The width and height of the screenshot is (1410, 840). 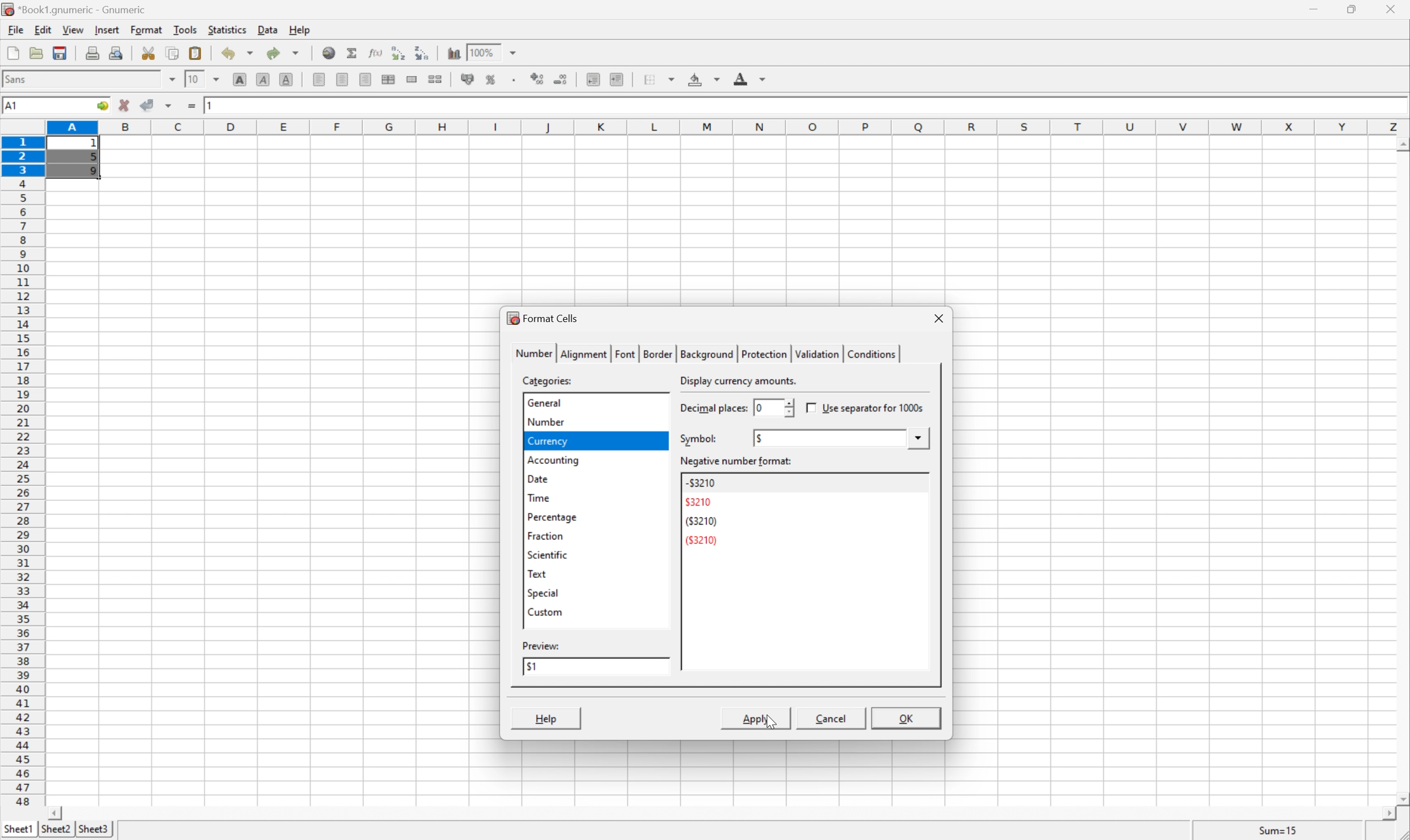 What do you see at coordinates (907, 720) in the screenshot?
I see `OK` at bounding box center [907, 720].